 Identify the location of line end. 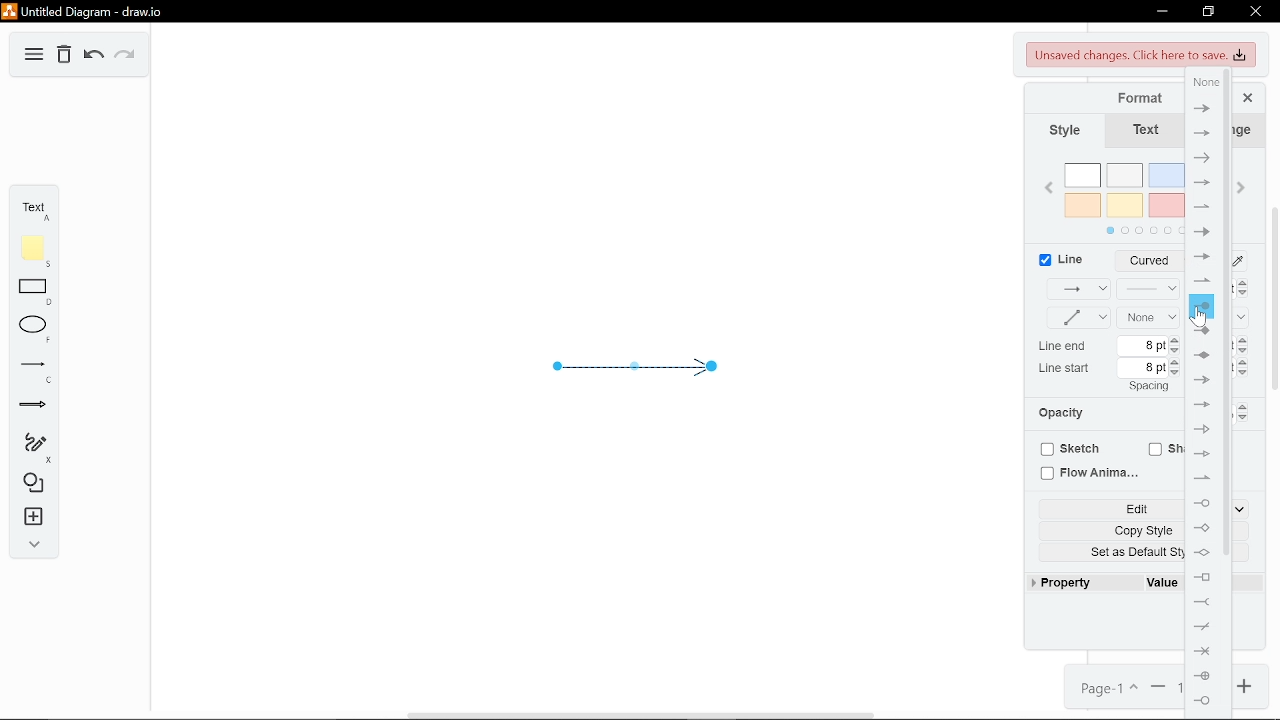
(1063, 346).